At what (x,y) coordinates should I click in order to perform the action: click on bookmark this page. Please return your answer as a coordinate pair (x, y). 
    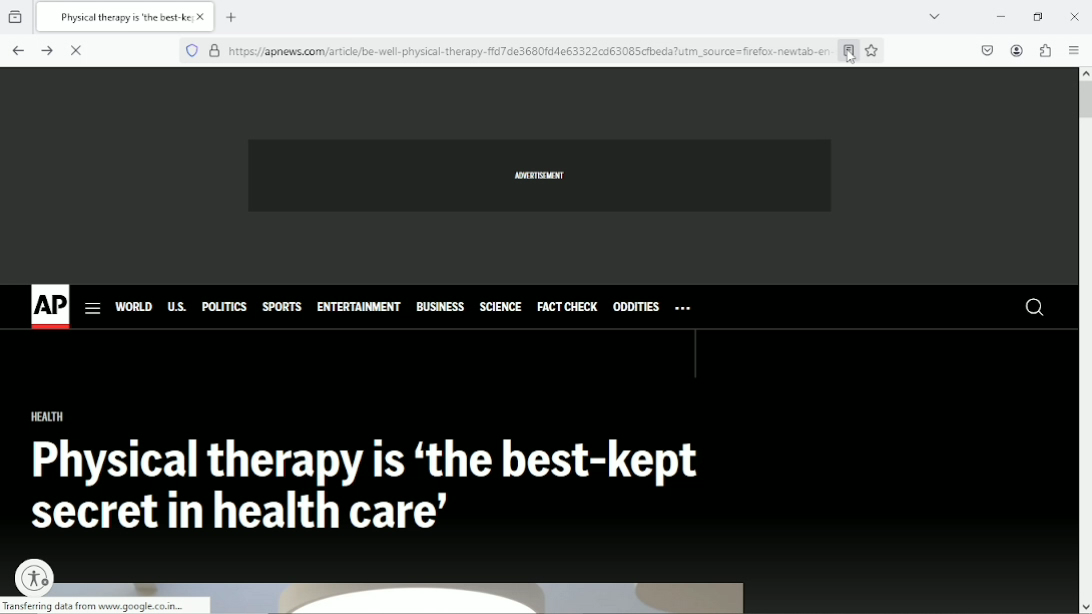
    Looking at the image, I should click on (873, 50).